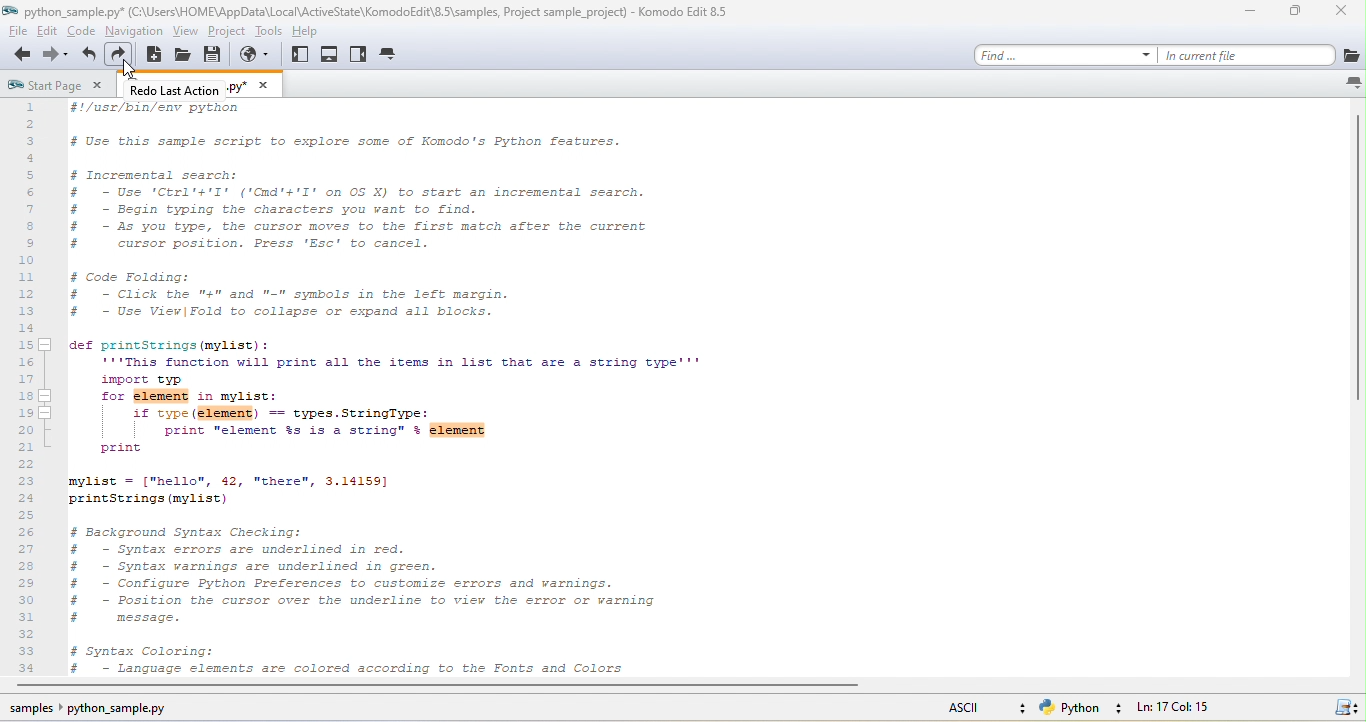 Image resolution: width=1366 pixels, height=722 pixels. What do you see at coordinates (1351, 53) in the screenshot?
I see `browse` at bounding box center [1351, 53].